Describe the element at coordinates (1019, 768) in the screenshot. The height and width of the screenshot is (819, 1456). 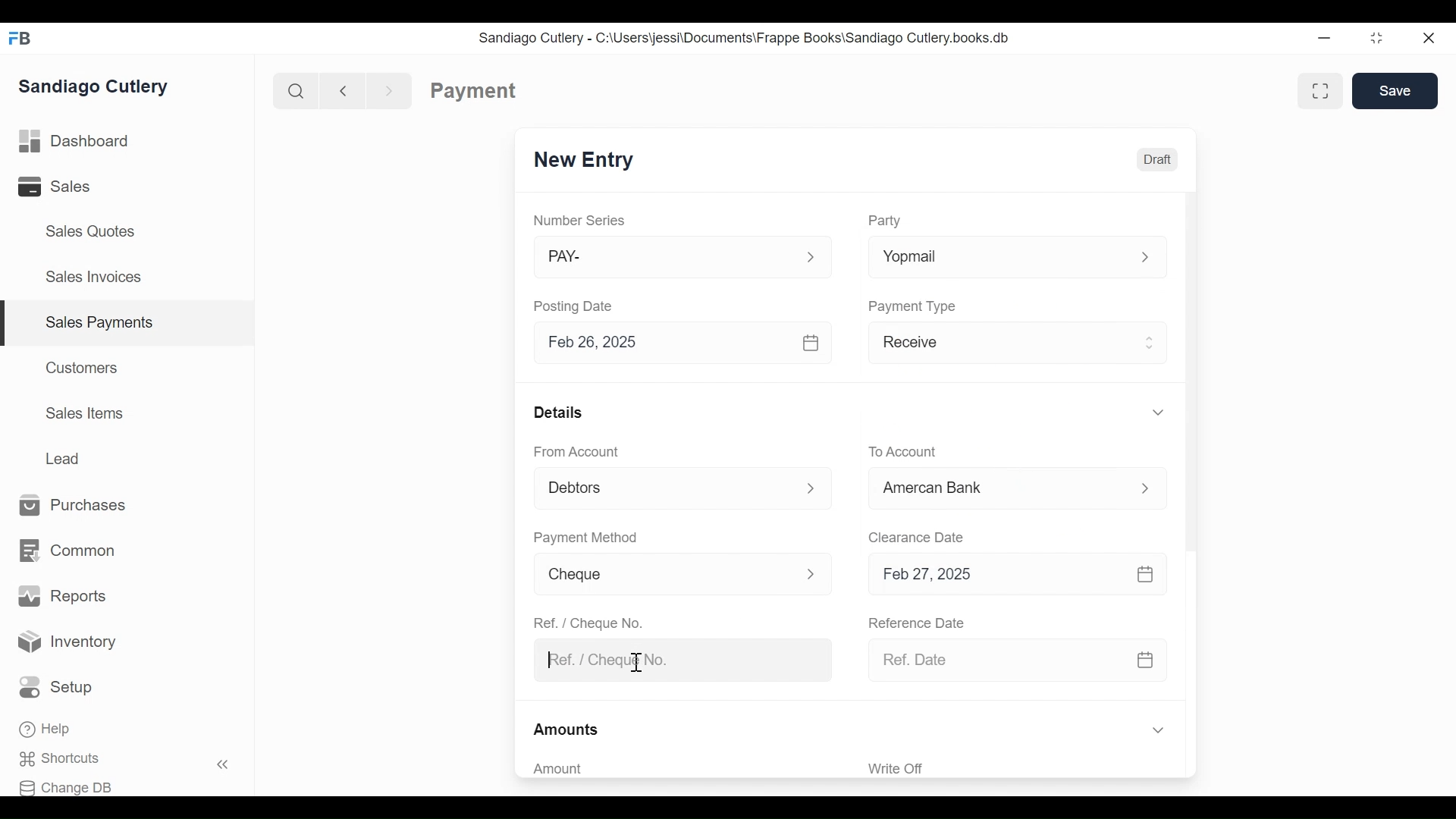
I see `‘Write Off` at that location.